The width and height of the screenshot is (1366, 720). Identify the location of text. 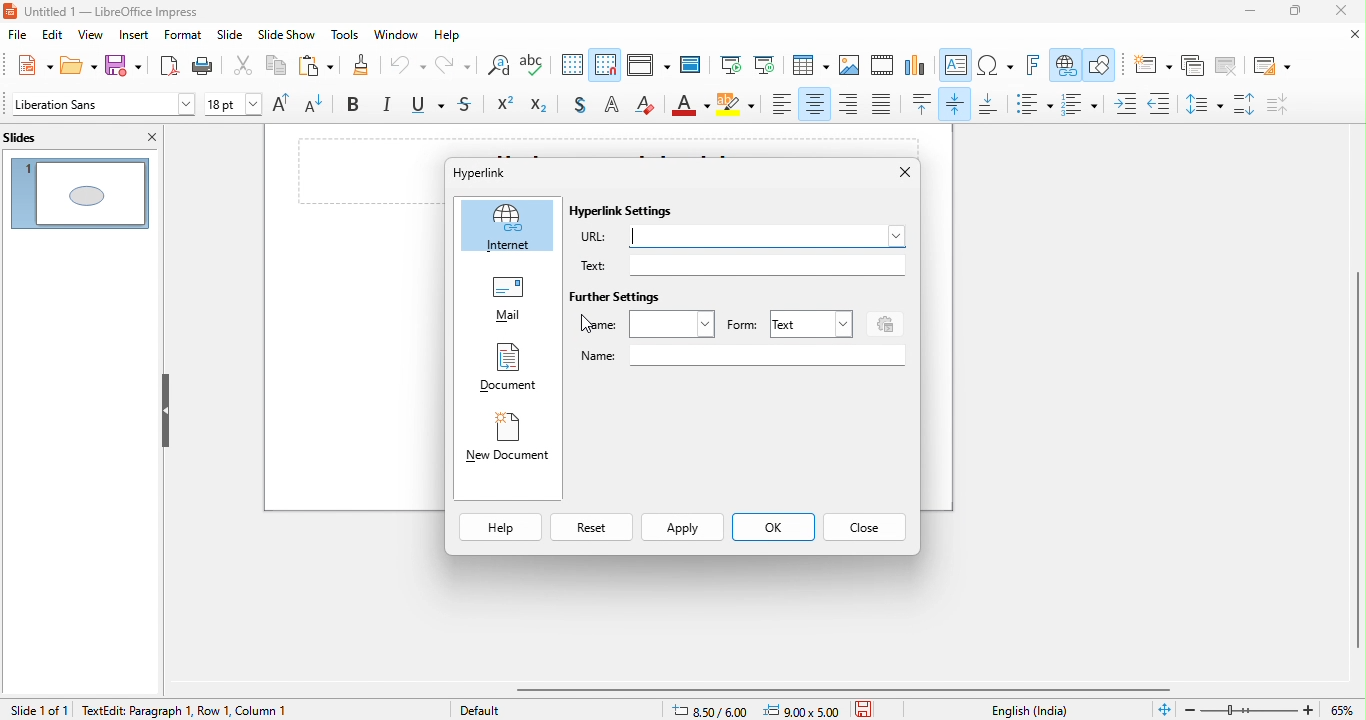
(809, 323).